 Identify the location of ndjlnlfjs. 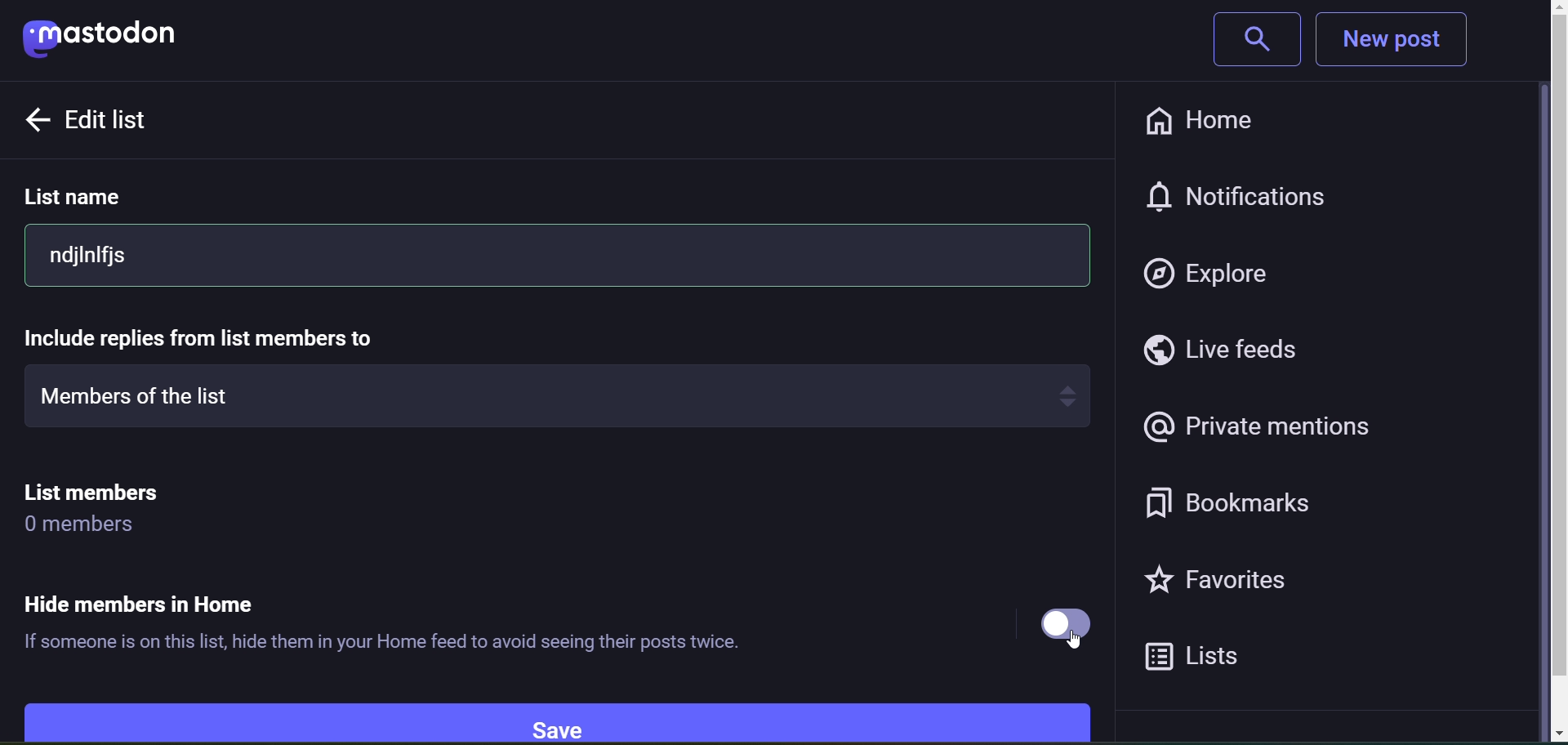
(555, 256).